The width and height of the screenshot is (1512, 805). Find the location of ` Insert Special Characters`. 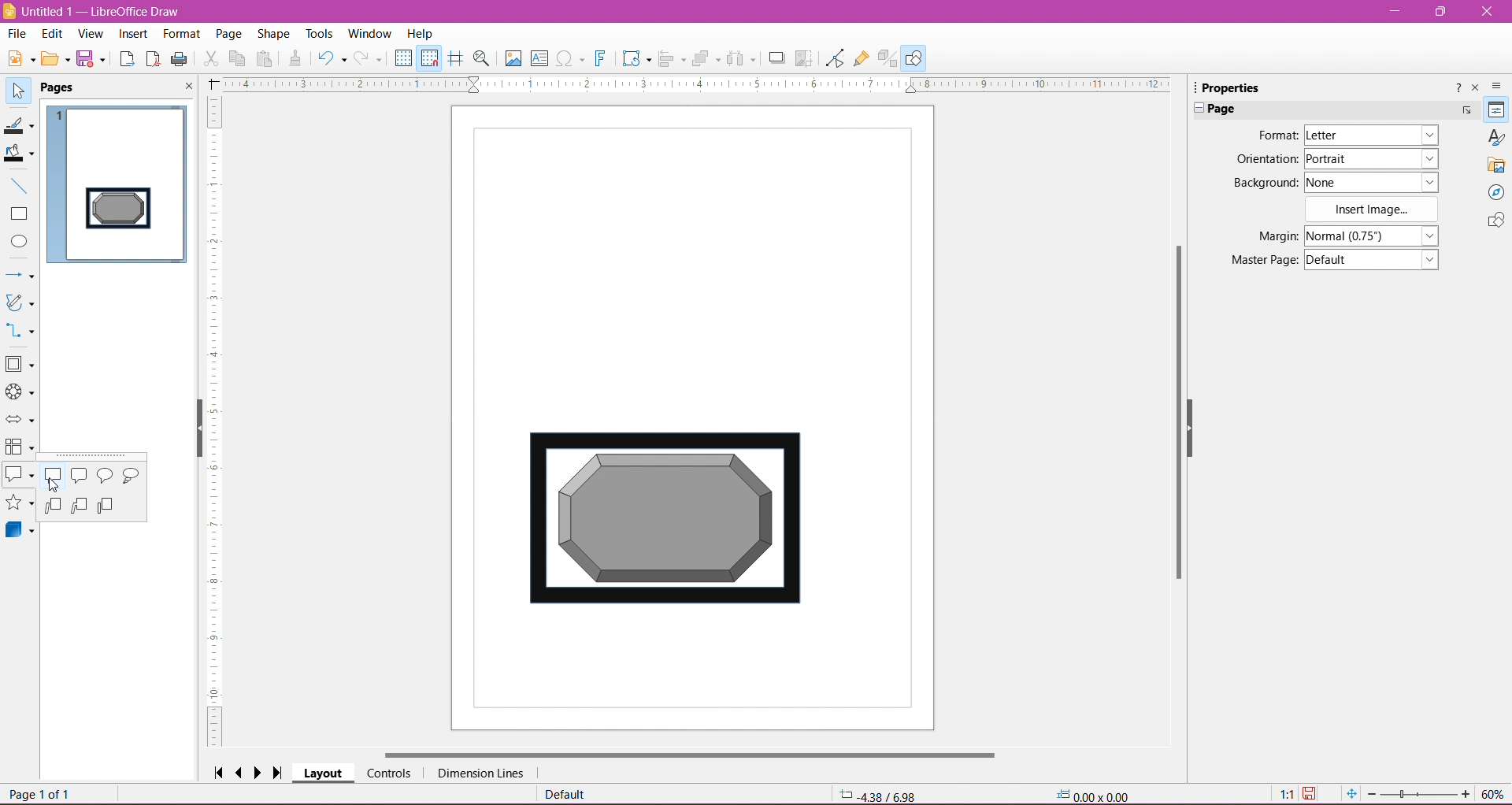

 Insert Special Characters is located at coordinates (571, 59).